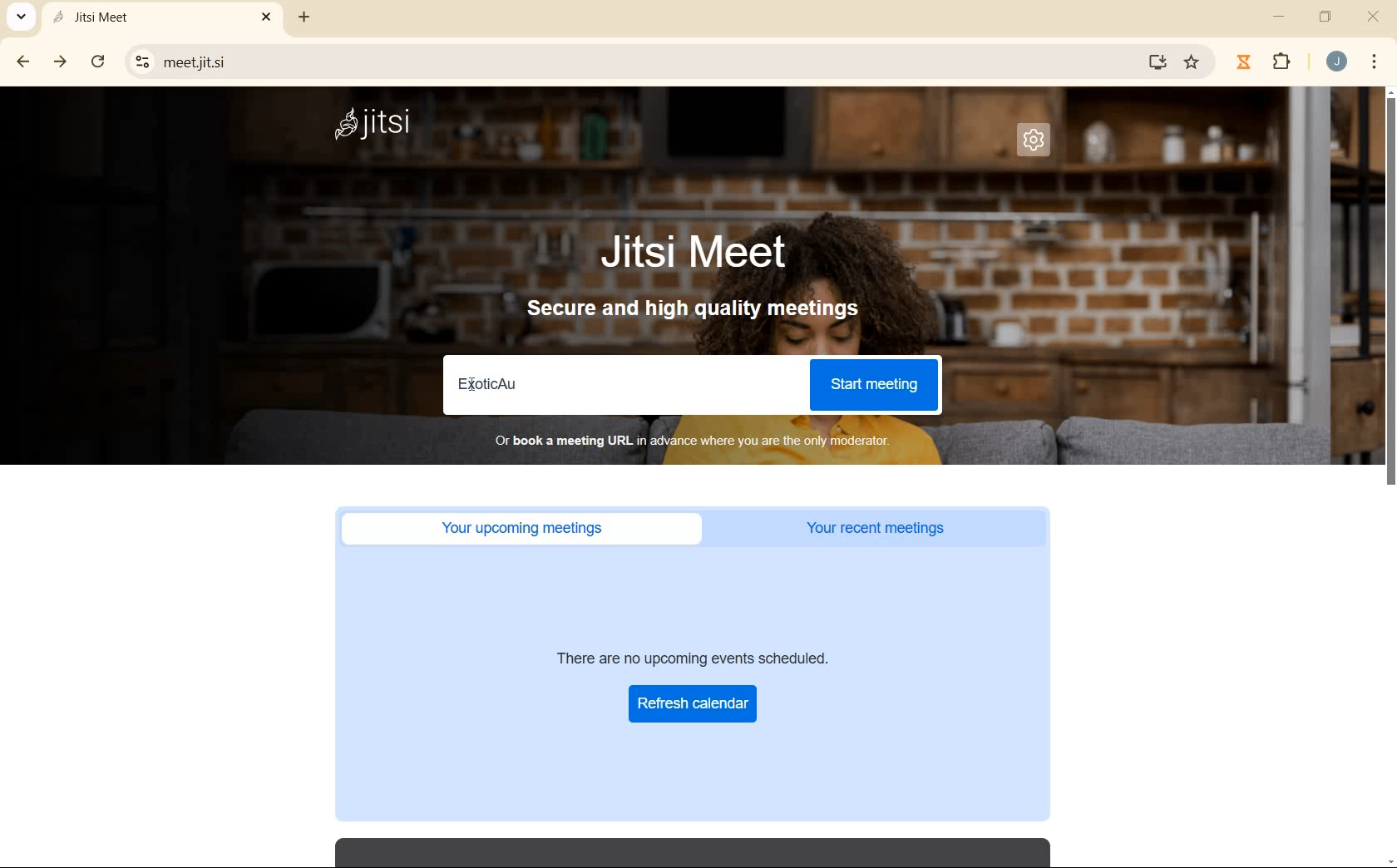  Describe the element at coordinates (1327, 18) in the screenshot. I see `restore down` at that location.